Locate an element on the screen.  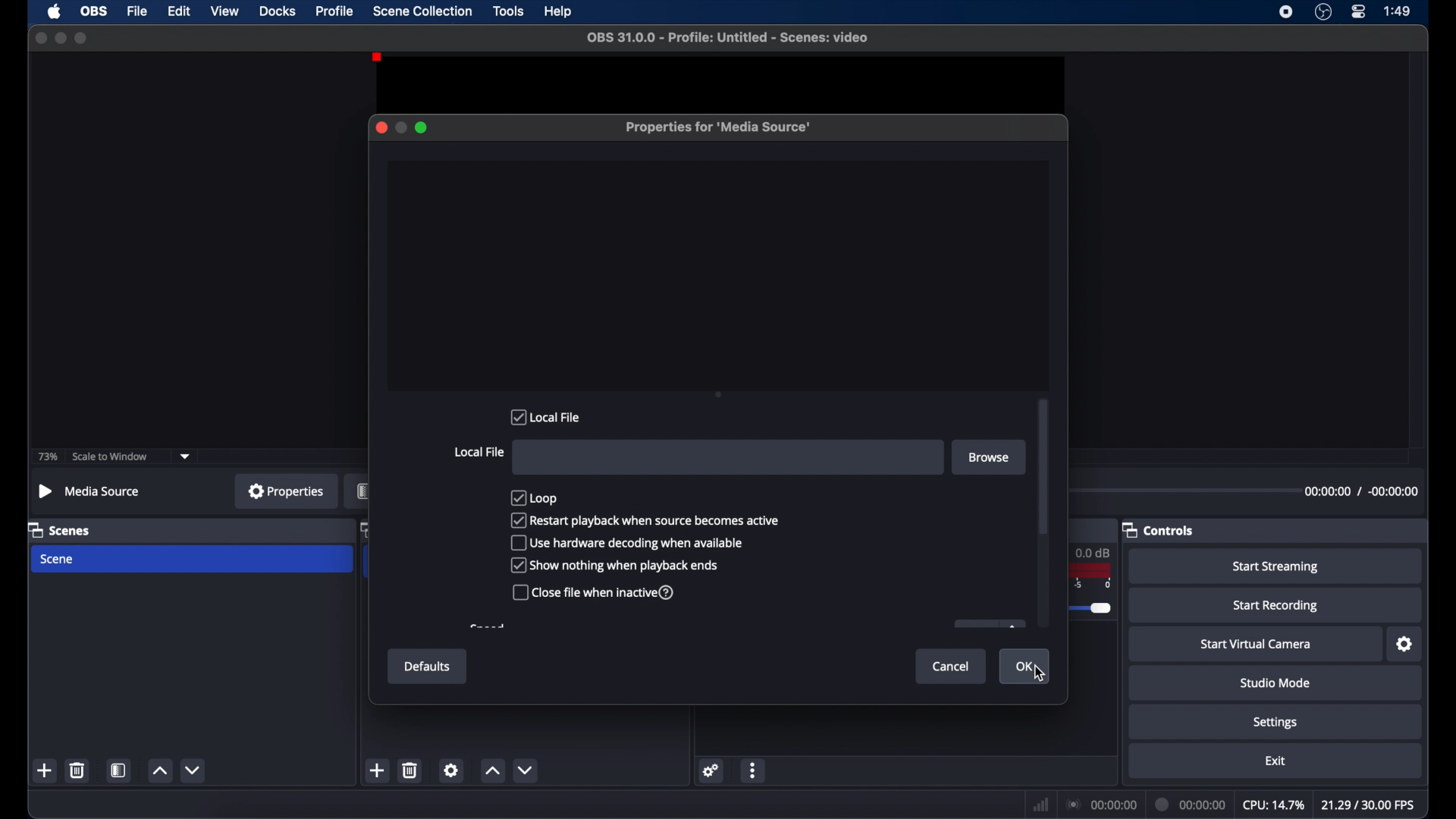
 is located at coordinates (1101, 804).